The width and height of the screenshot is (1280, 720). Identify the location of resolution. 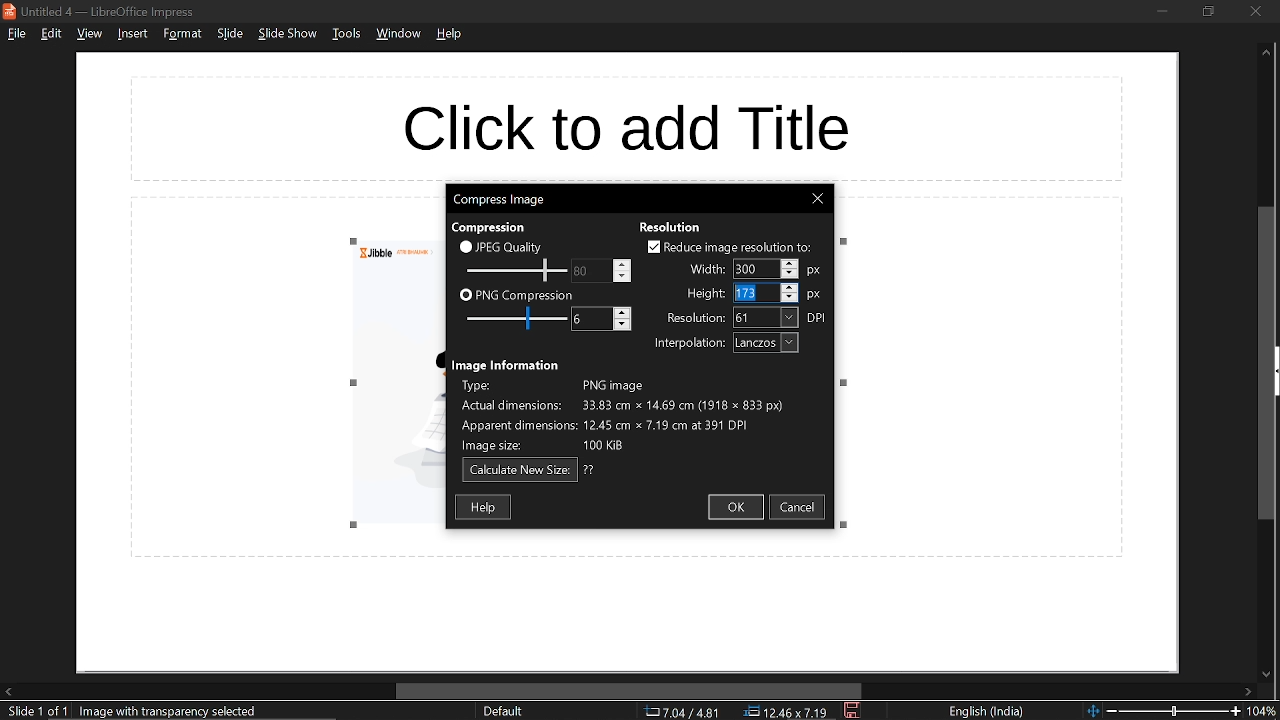
(766, 318).